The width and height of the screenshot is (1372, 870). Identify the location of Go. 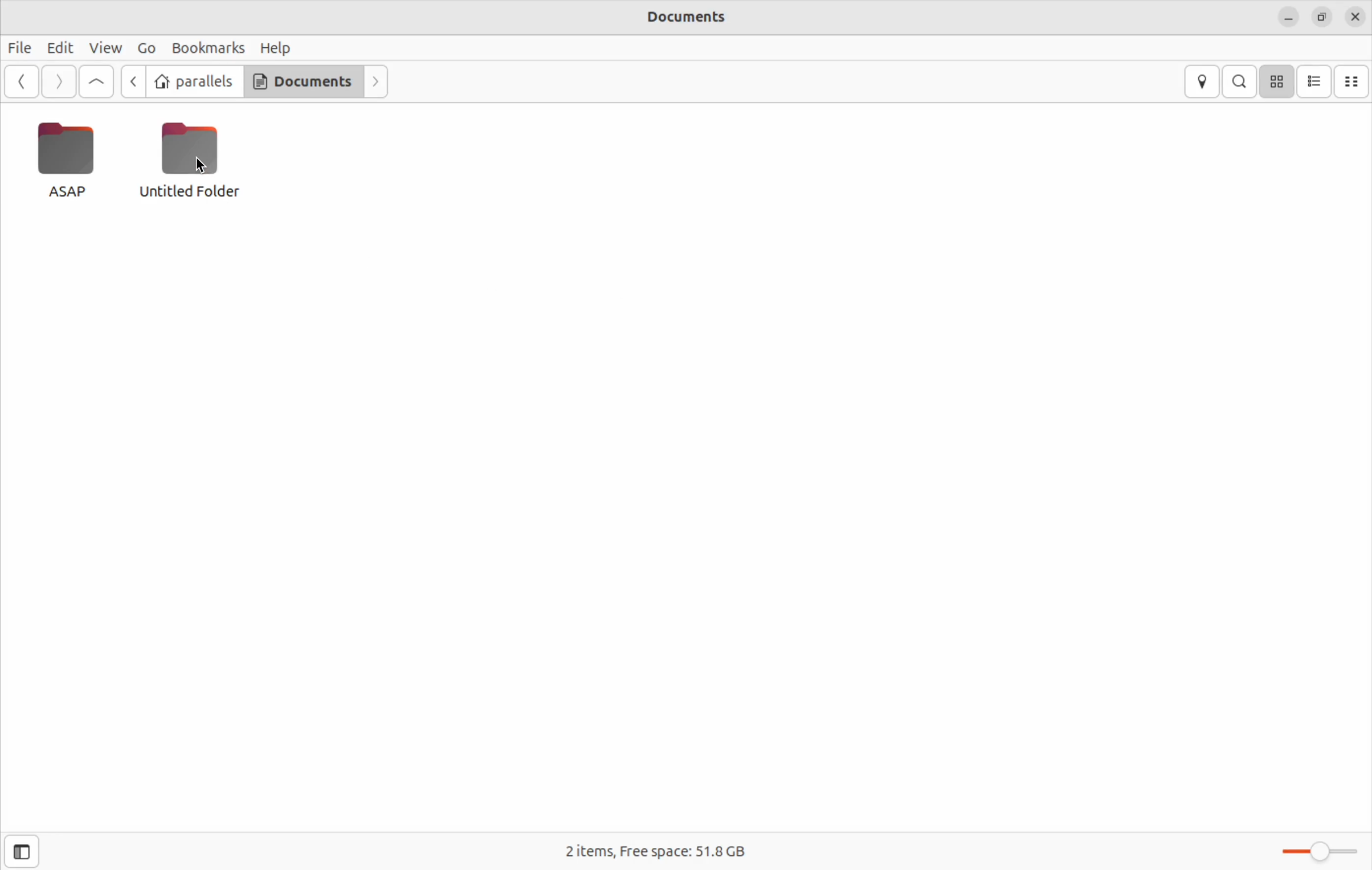
(145, 48).